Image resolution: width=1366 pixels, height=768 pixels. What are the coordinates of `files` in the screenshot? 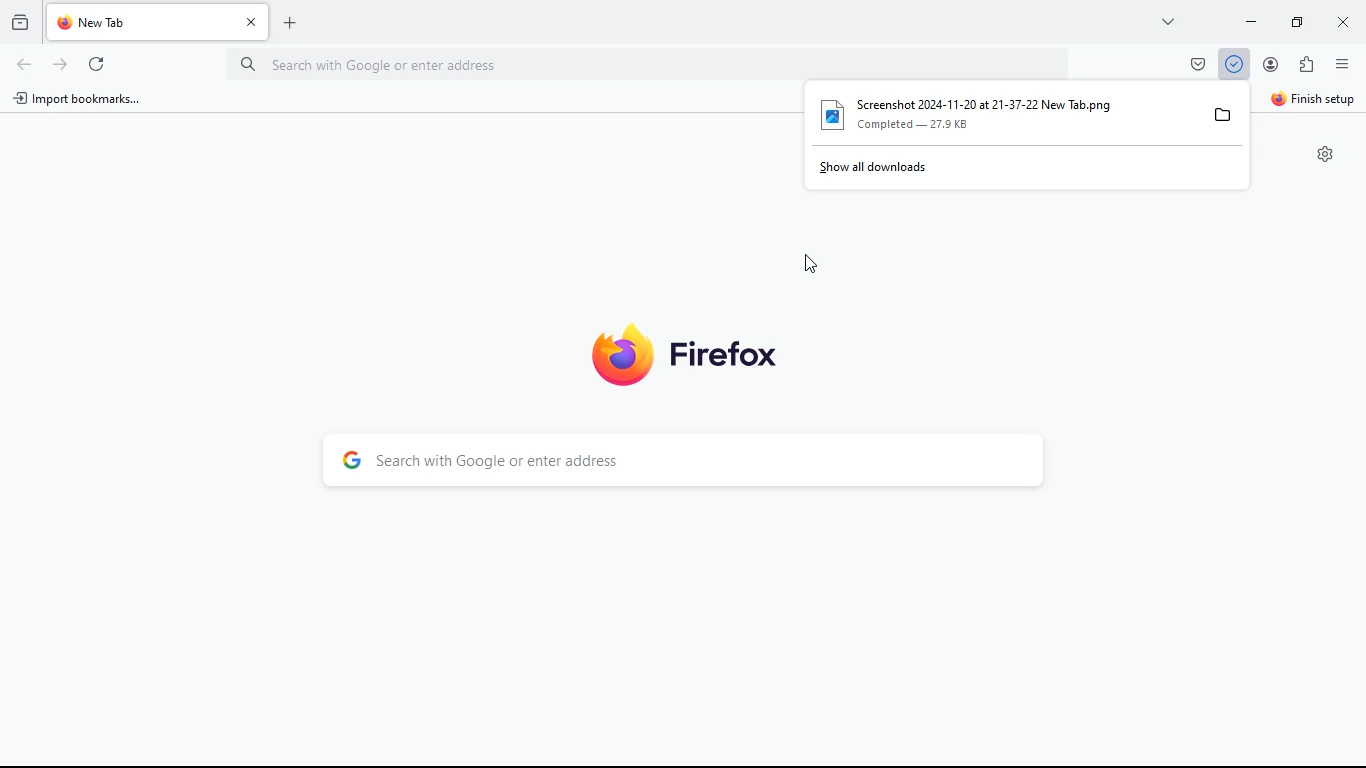 It's located at (1220, 115).